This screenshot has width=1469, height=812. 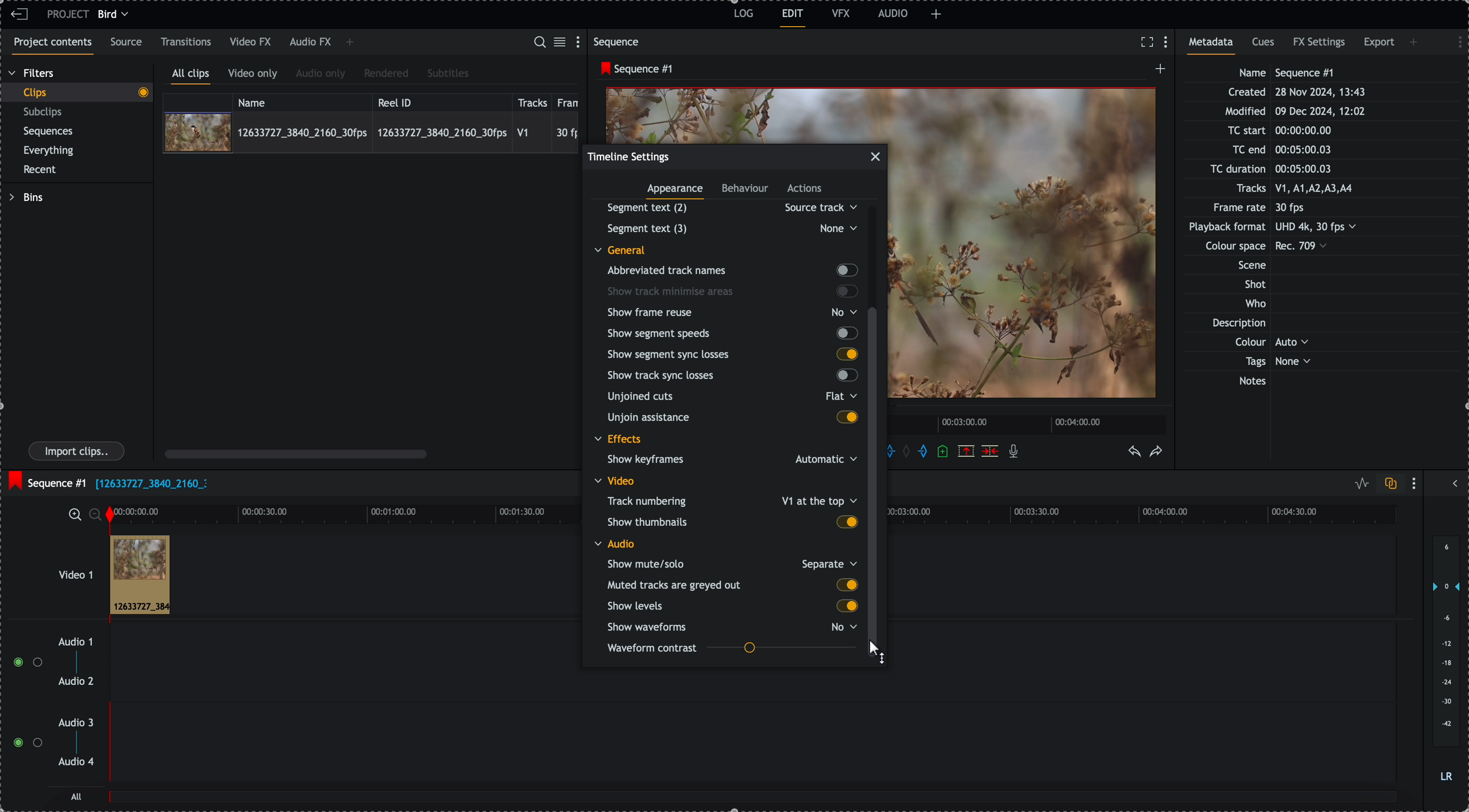 What do you see at coordinates (539, 43) in the screenshot?
I see `search for assets or bins` at bounding box center [539, 43].